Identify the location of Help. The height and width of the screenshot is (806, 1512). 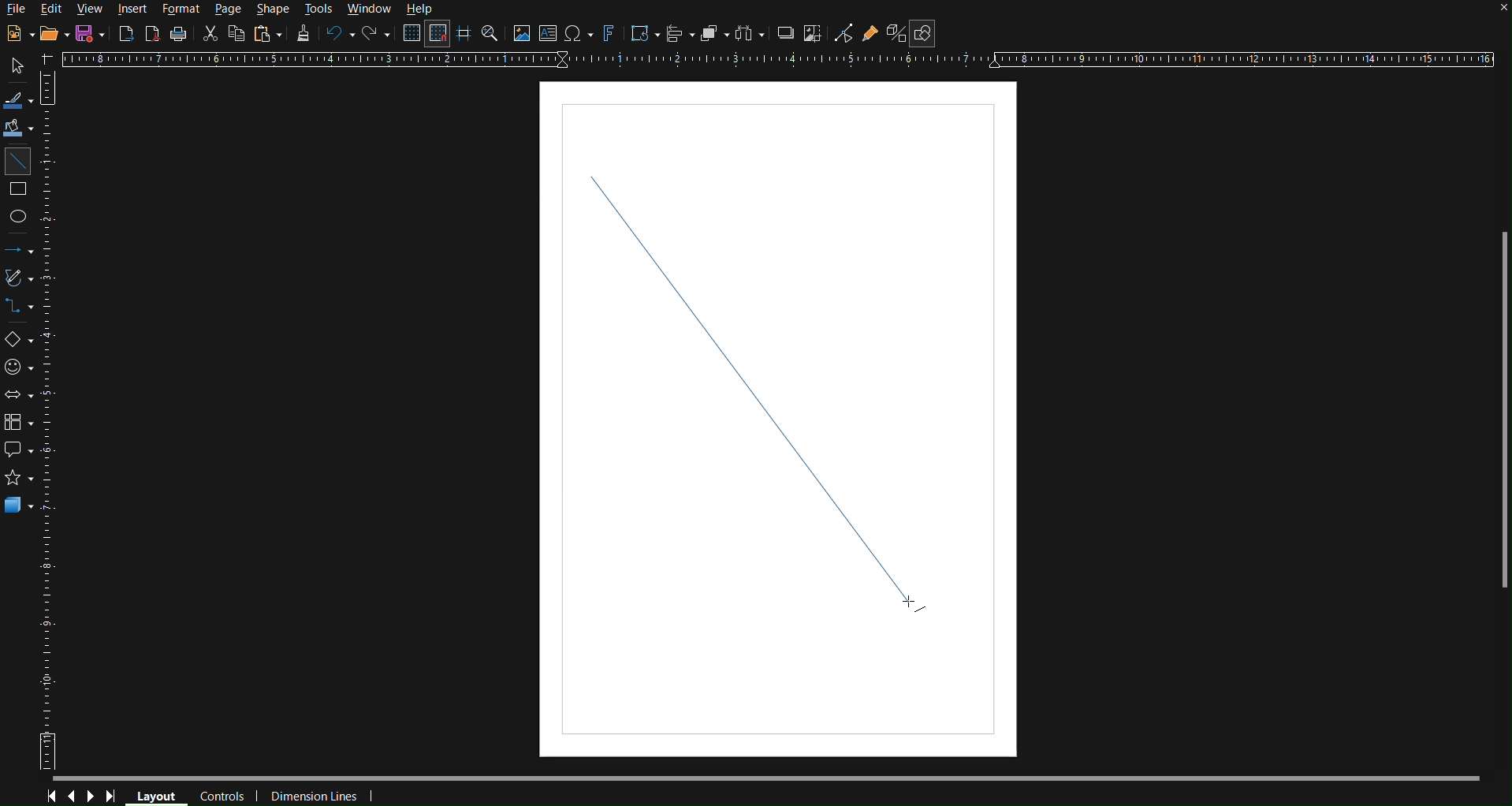
(418, 9).